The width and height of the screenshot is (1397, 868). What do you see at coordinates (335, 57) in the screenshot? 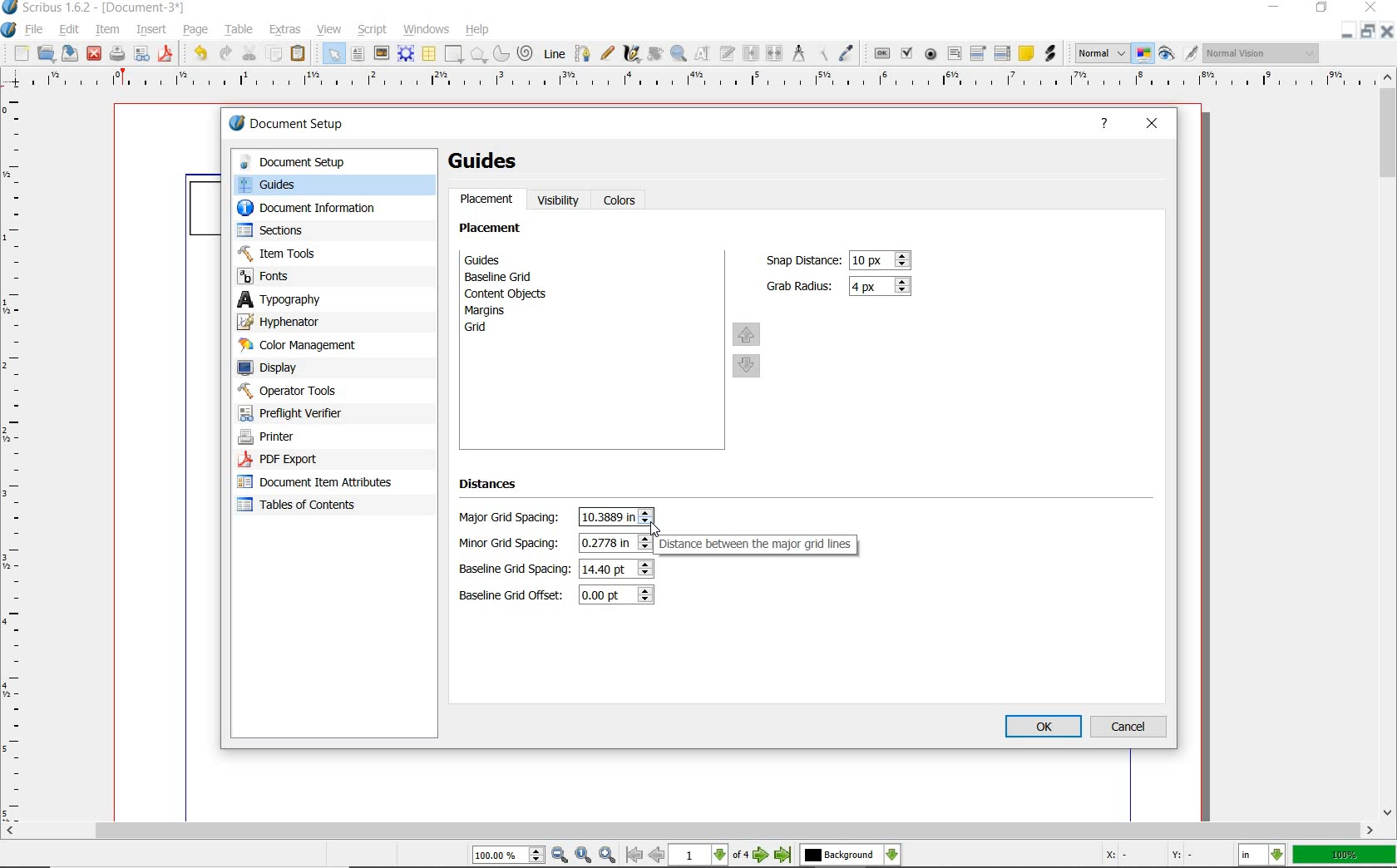
I see `select` at bounding box center [335, 57].